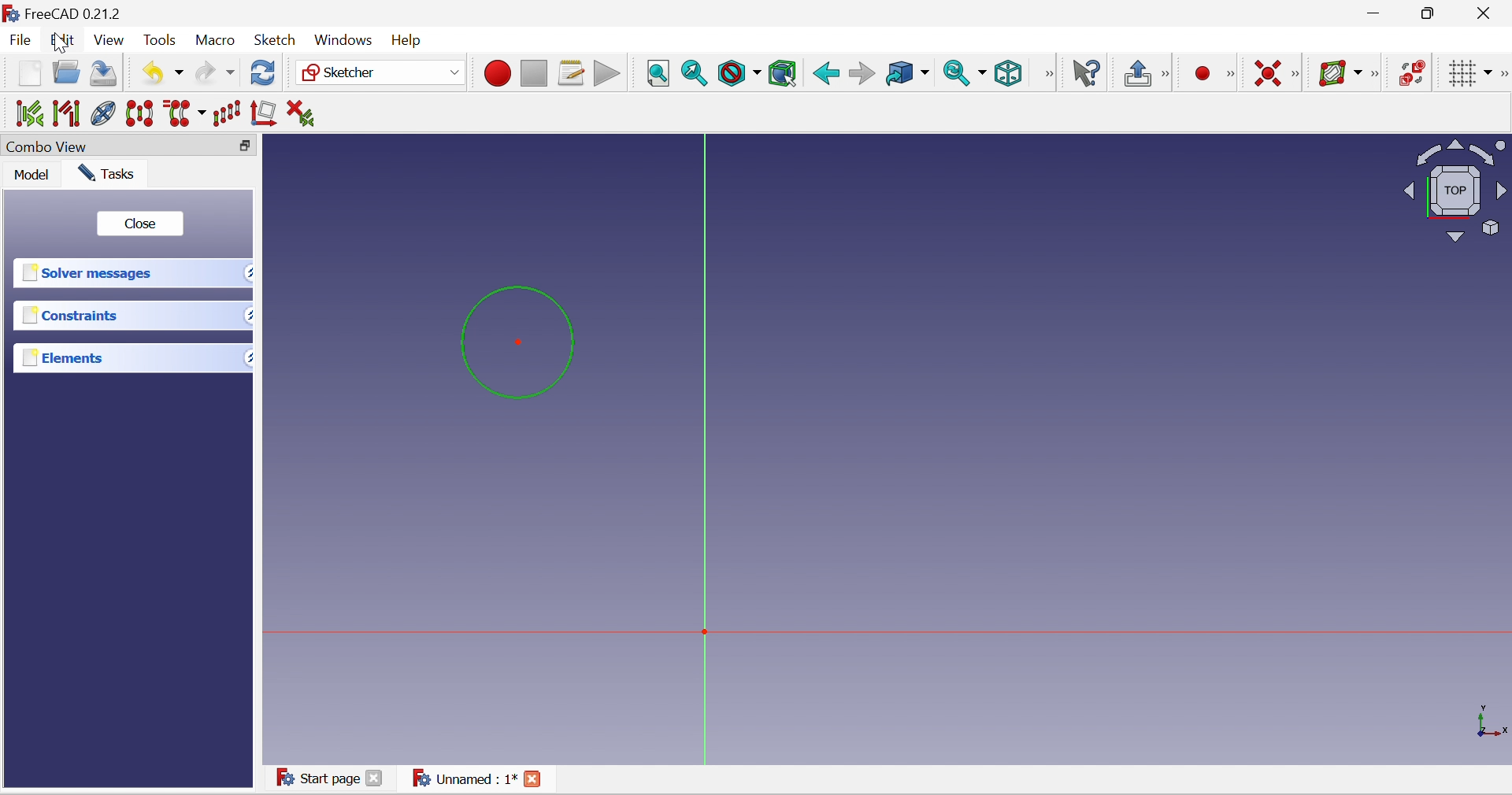 This screenshot has width=1512, height=795. I want to click on Minimize, so click(1374, 15).